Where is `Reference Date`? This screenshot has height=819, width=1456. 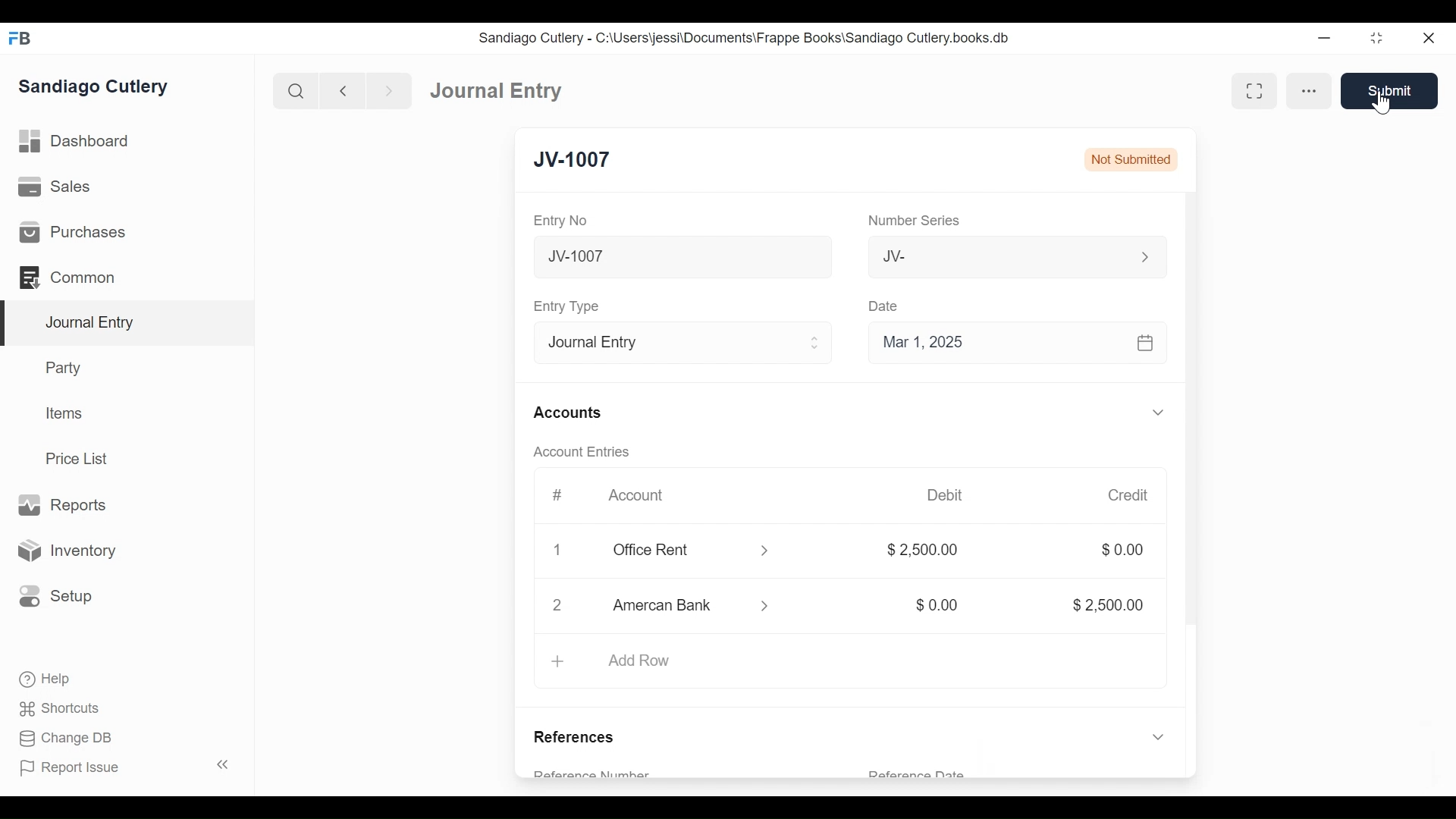 Reference Date is located at coordinates (918, 774).